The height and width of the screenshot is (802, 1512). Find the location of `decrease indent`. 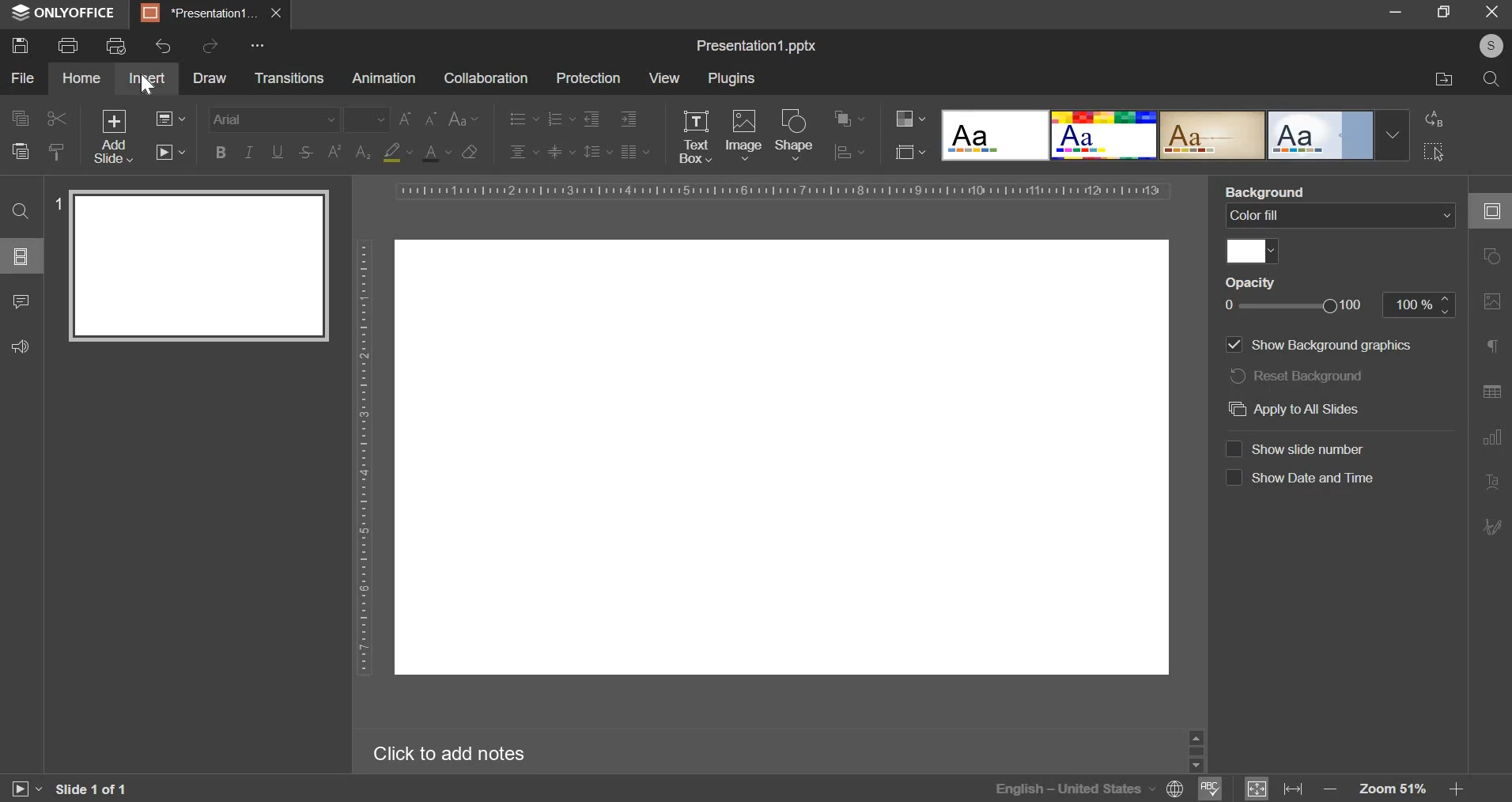

decrease indent is located at coordinates (592, 119).